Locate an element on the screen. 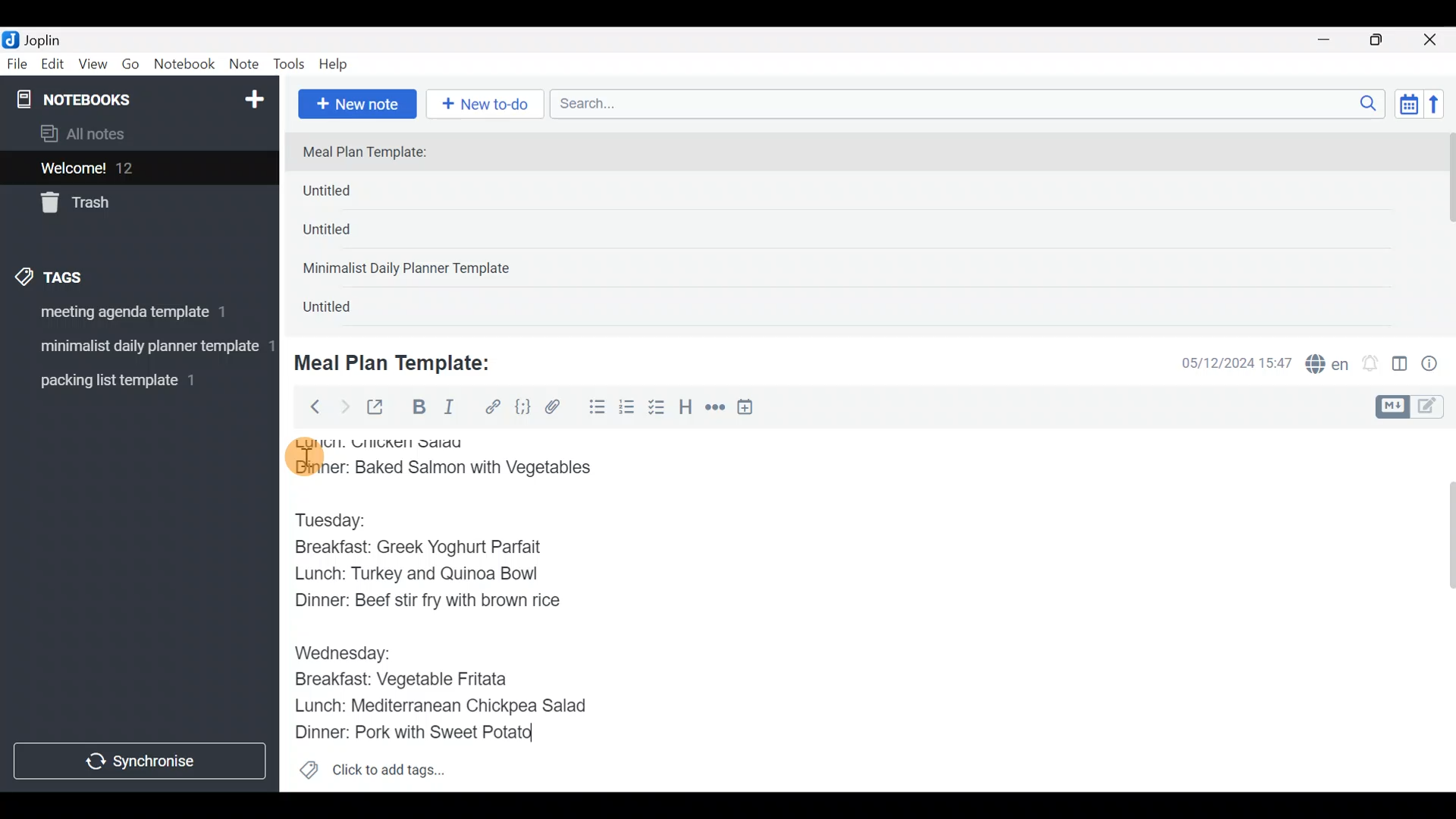 The height and width of the screenshot is (819, 1456). Tags is located at coordinates (85, 275).